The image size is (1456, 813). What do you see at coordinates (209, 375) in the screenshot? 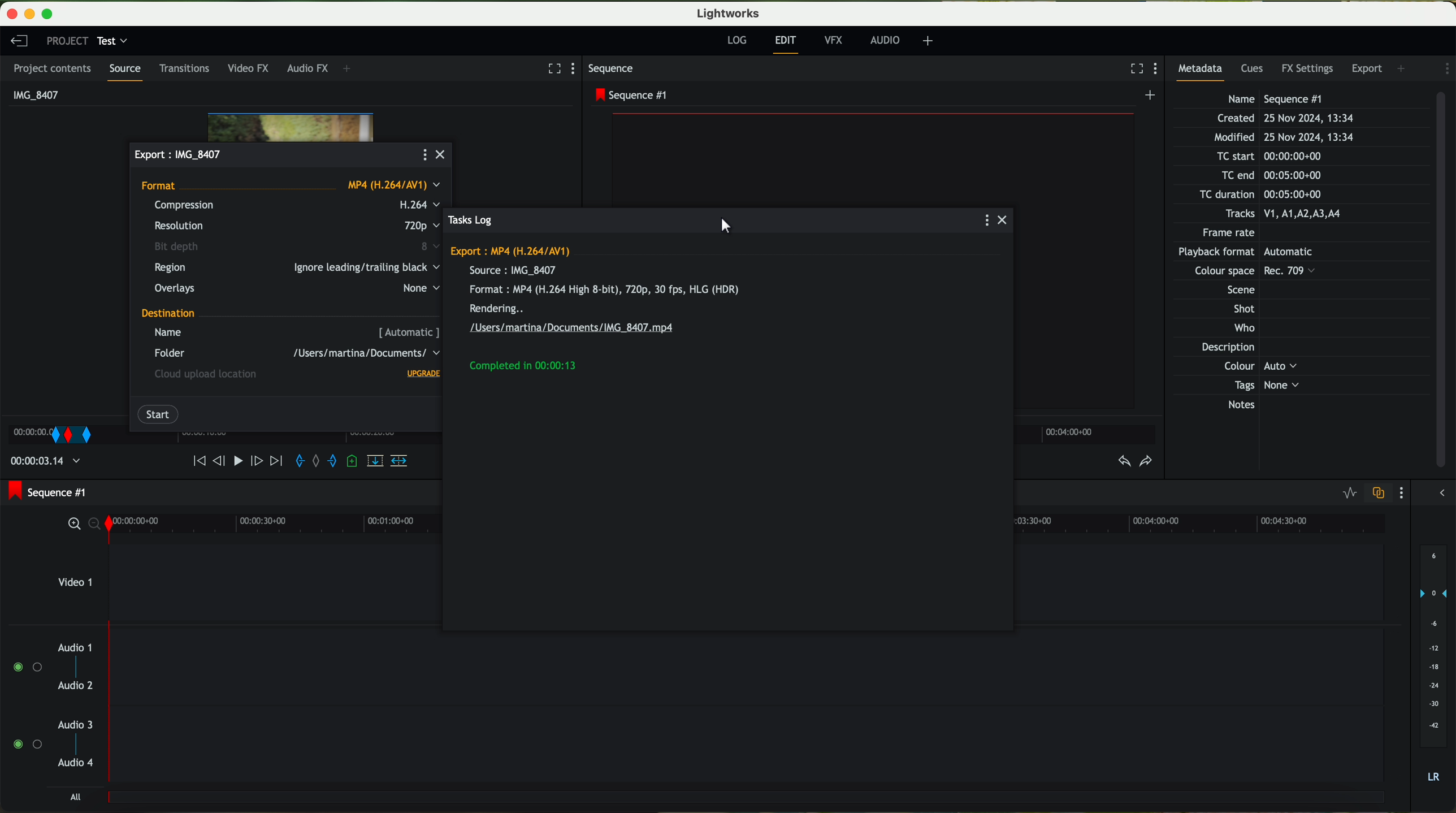
I see `cloud upload location` at bounding box center [209, 375].